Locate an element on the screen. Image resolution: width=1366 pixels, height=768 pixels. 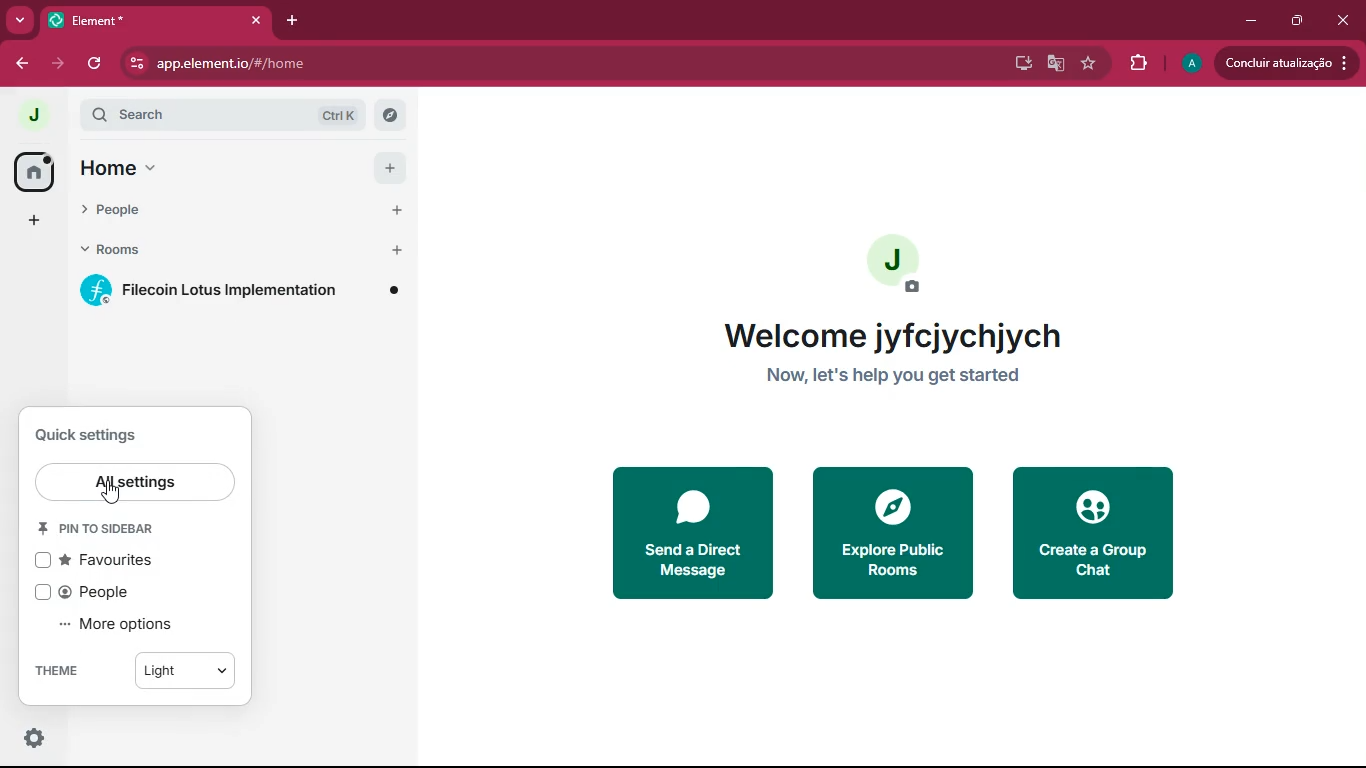
explore public rooms is located at coordinates (892, 533).